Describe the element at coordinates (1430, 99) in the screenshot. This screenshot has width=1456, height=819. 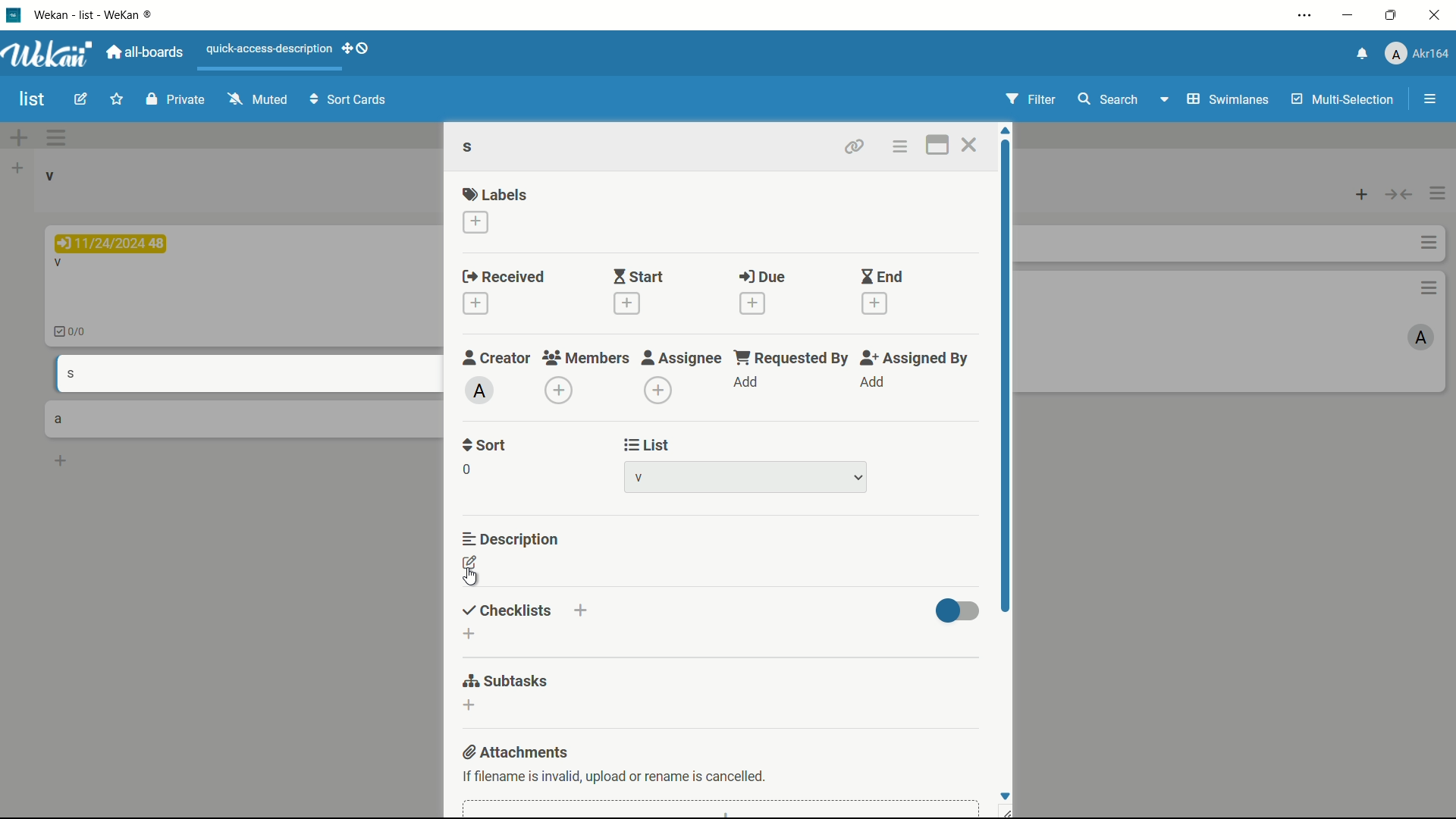
I see `open/close sidebar` at that location.